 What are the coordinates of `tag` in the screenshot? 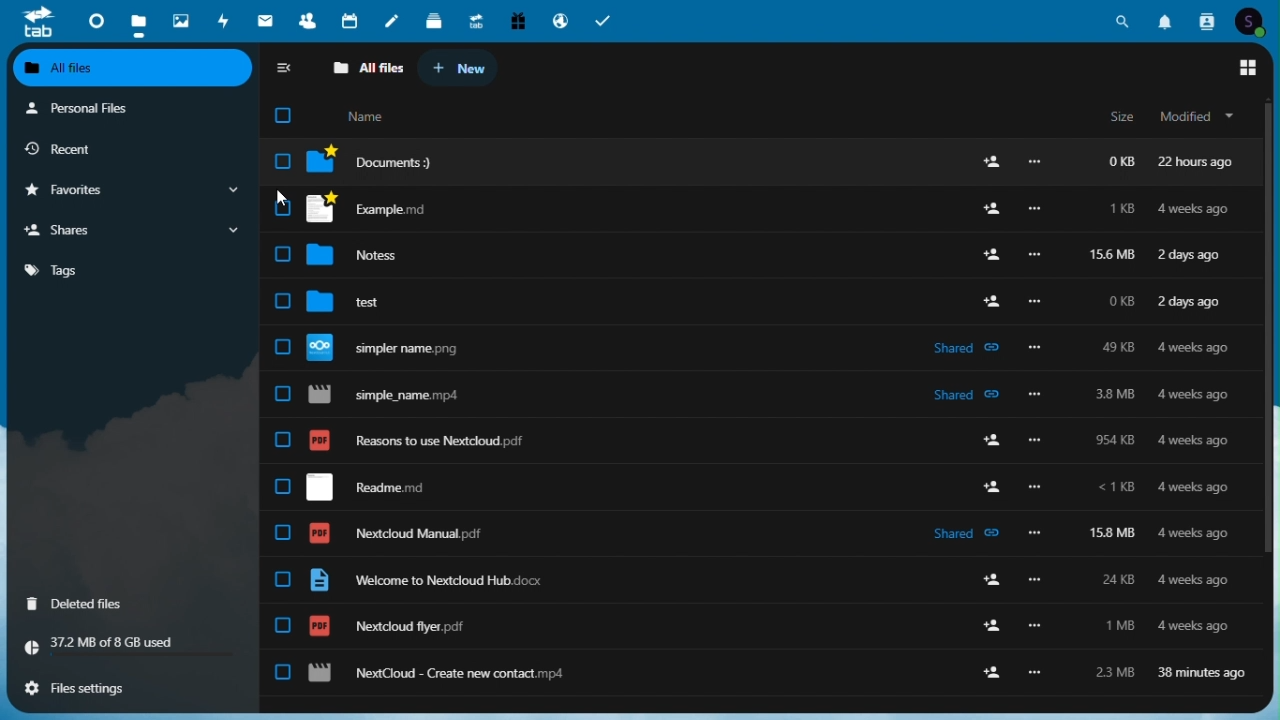 It's located at (128, 275).